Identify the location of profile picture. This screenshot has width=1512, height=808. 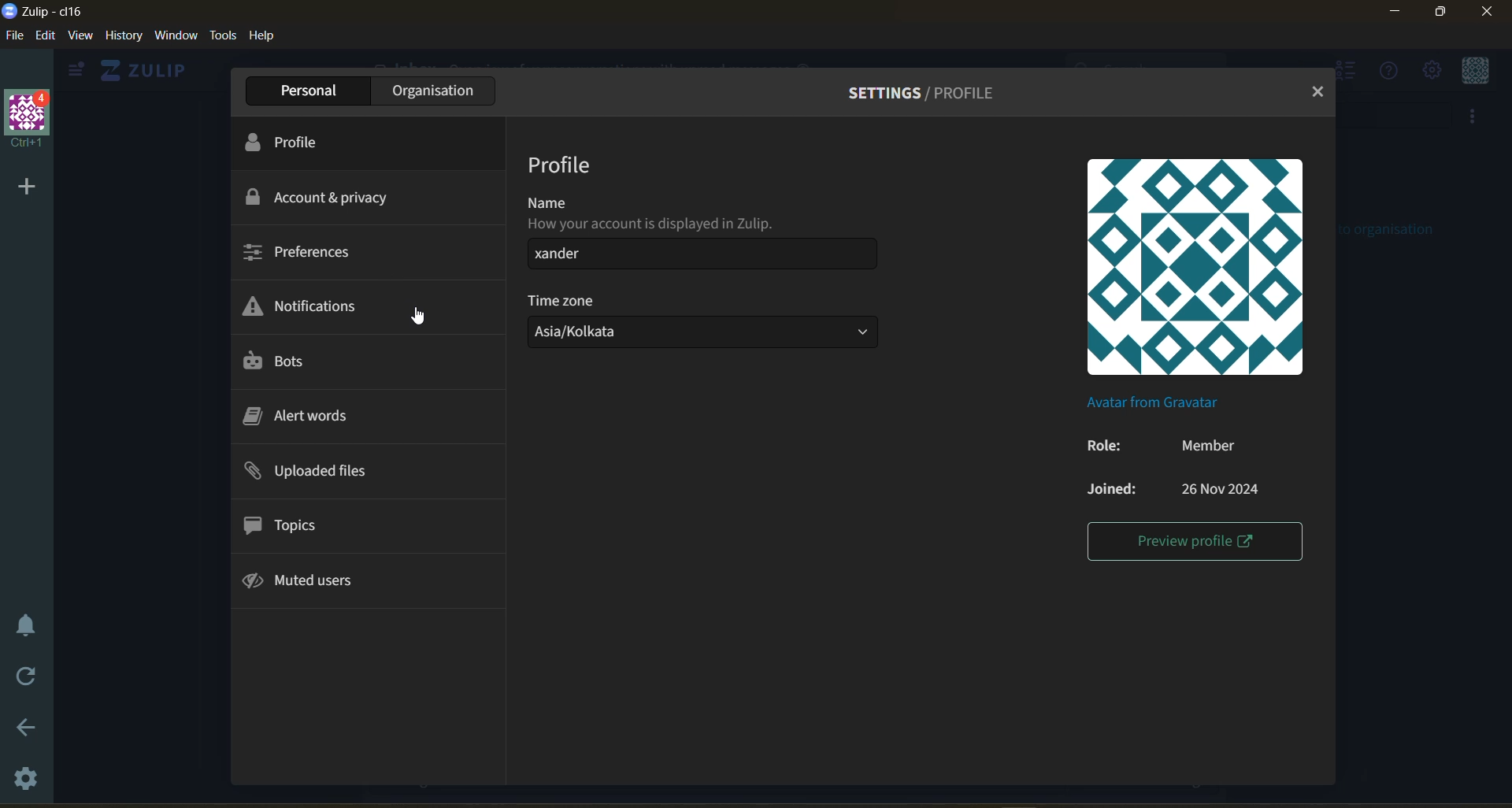
(1196, 265).